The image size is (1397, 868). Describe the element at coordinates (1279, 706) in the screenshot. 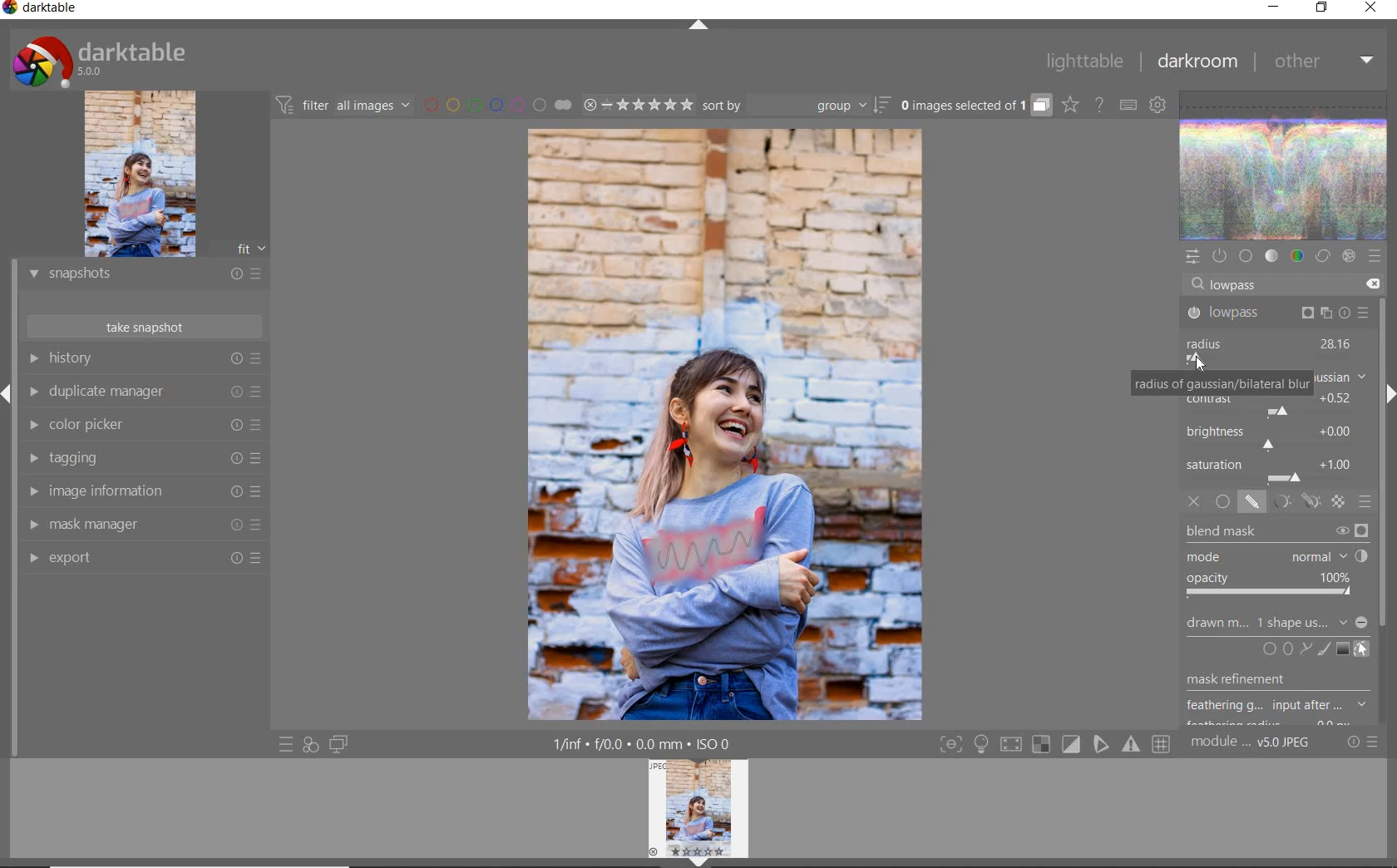

I see `feathering g...` at that location.